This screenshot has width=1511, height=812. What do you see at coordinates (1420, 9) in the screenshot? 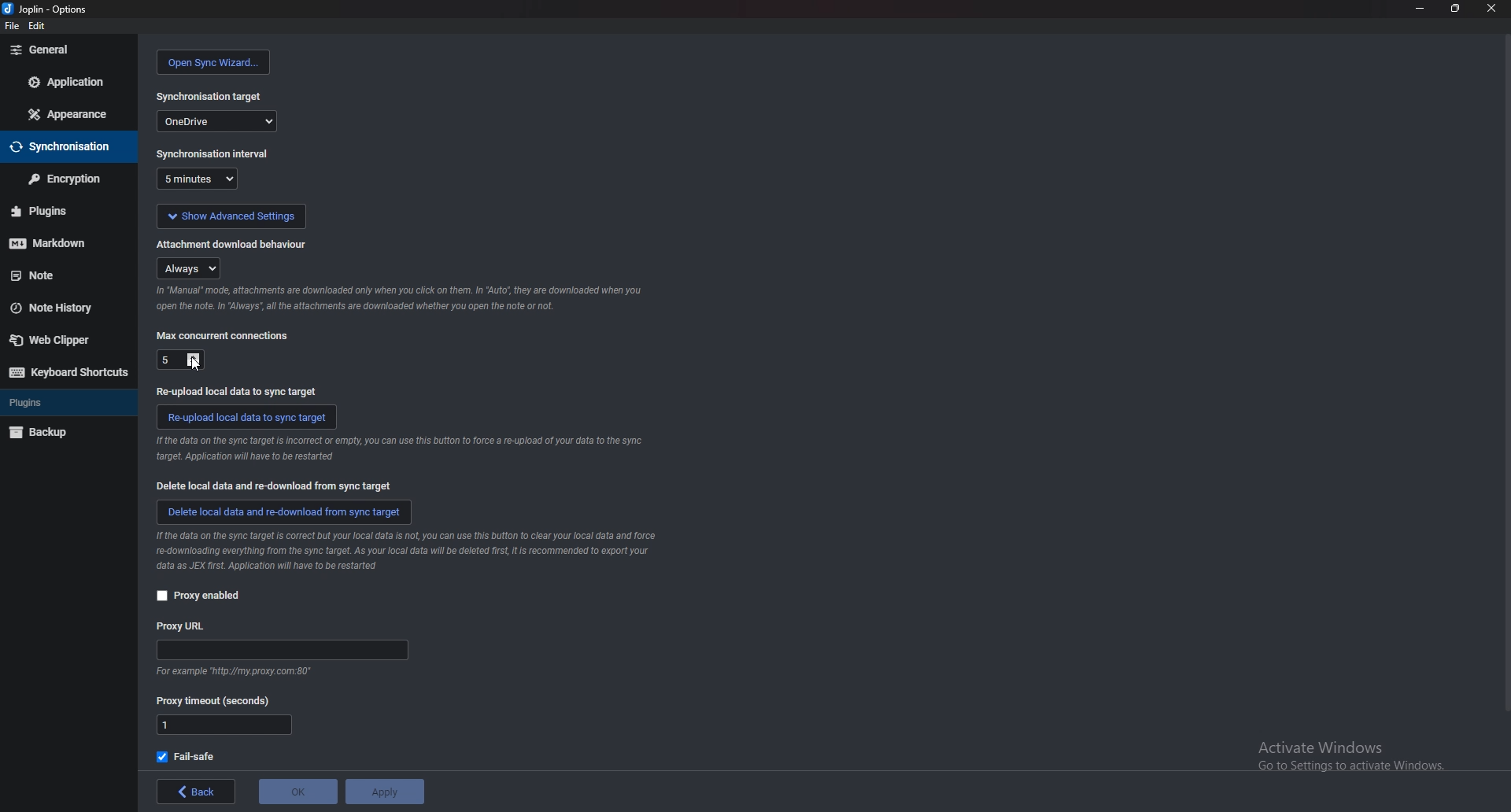
I see `minimize` at bounding box center [1420, 9].